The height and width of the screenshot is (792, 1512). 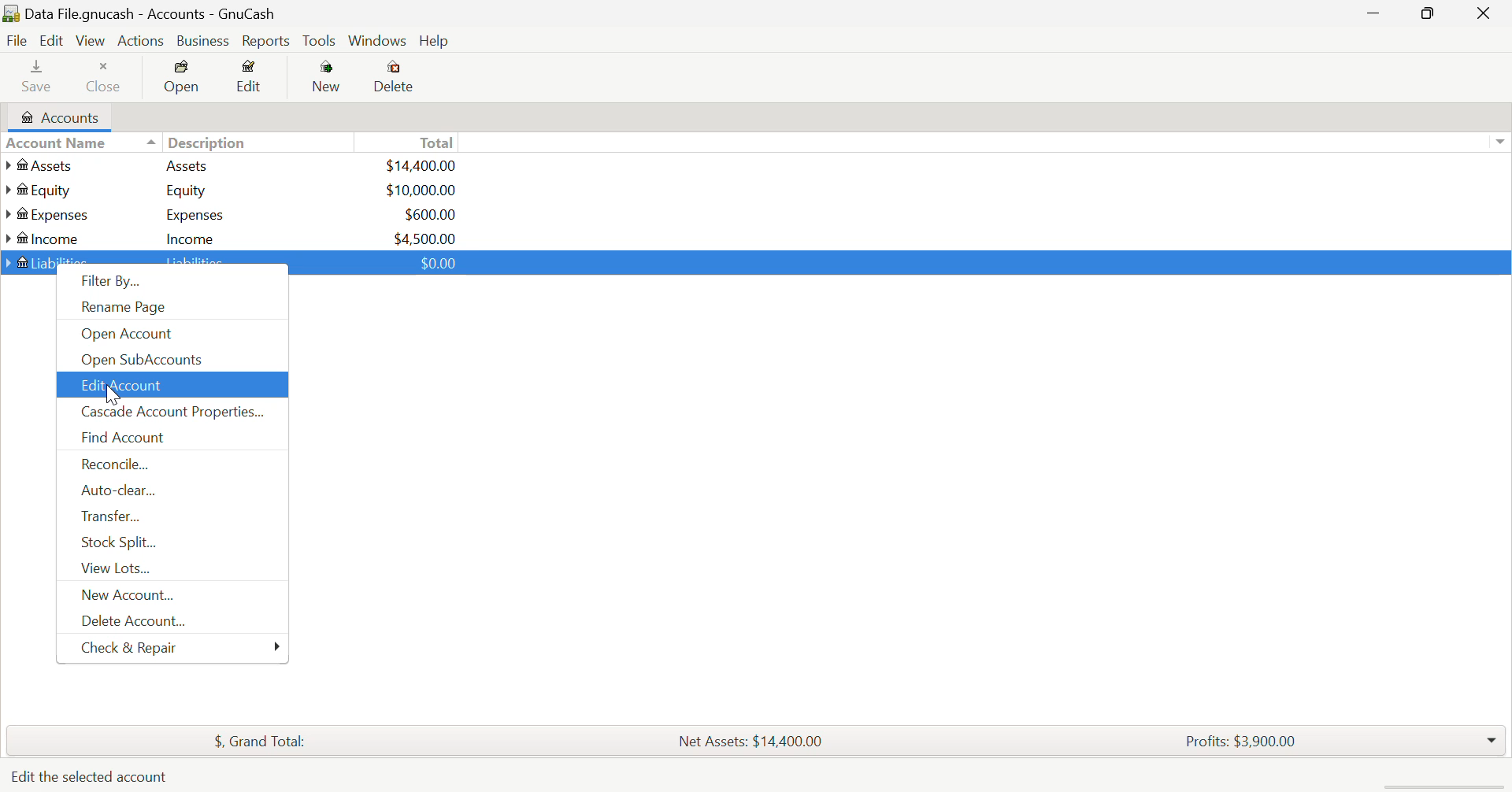 I want to click on Close, so click(x=105, y=79).